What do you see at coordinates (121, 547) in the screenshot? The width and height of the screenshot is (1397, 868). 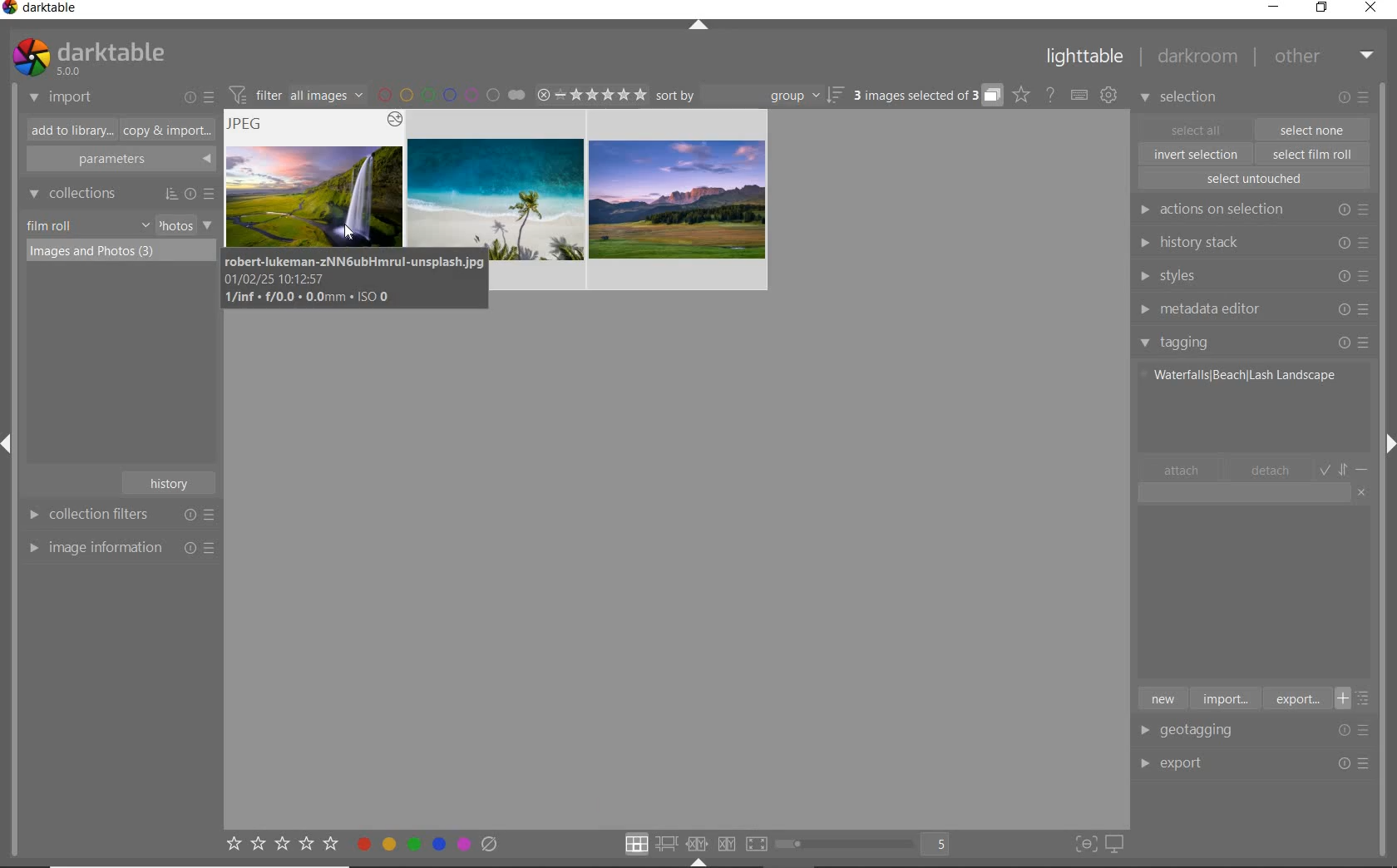 I see `image information` at bounding box center [121, 547].